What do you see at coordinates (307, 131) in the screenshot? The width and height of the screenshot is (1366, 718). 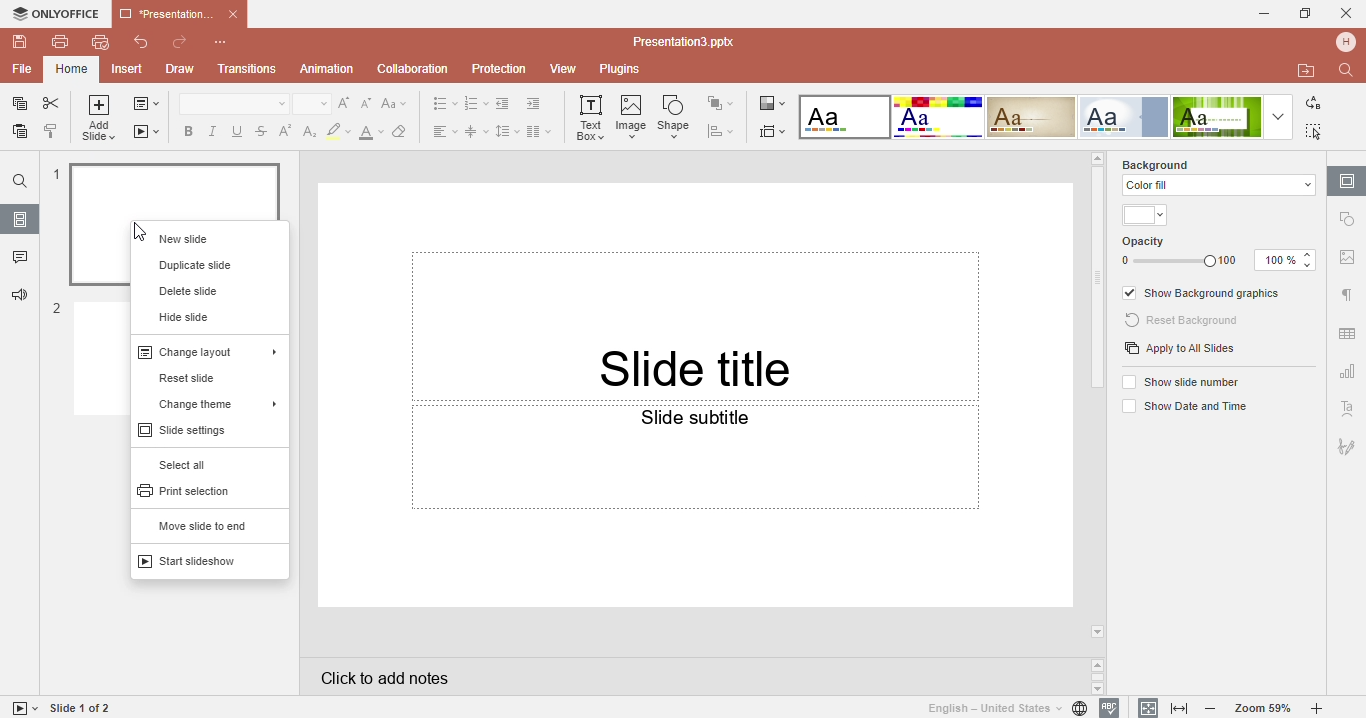 I see `Subscript` at bounding box center [307, 131].